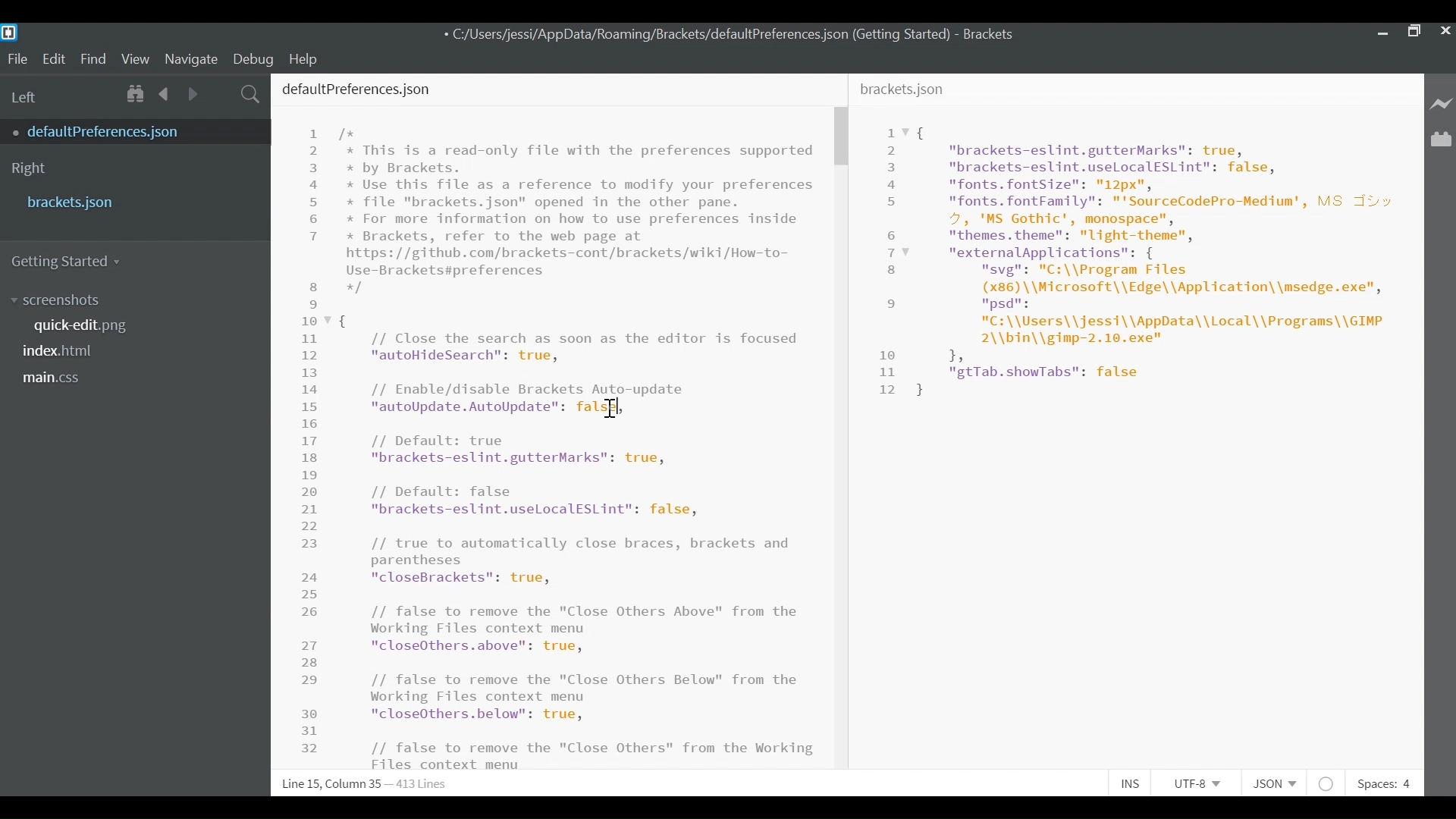  What do you see at coordinates (1131, 785) in the screenshot?
I see `Toggle Insert or Overwrite` at bounding box center [1131, 785].